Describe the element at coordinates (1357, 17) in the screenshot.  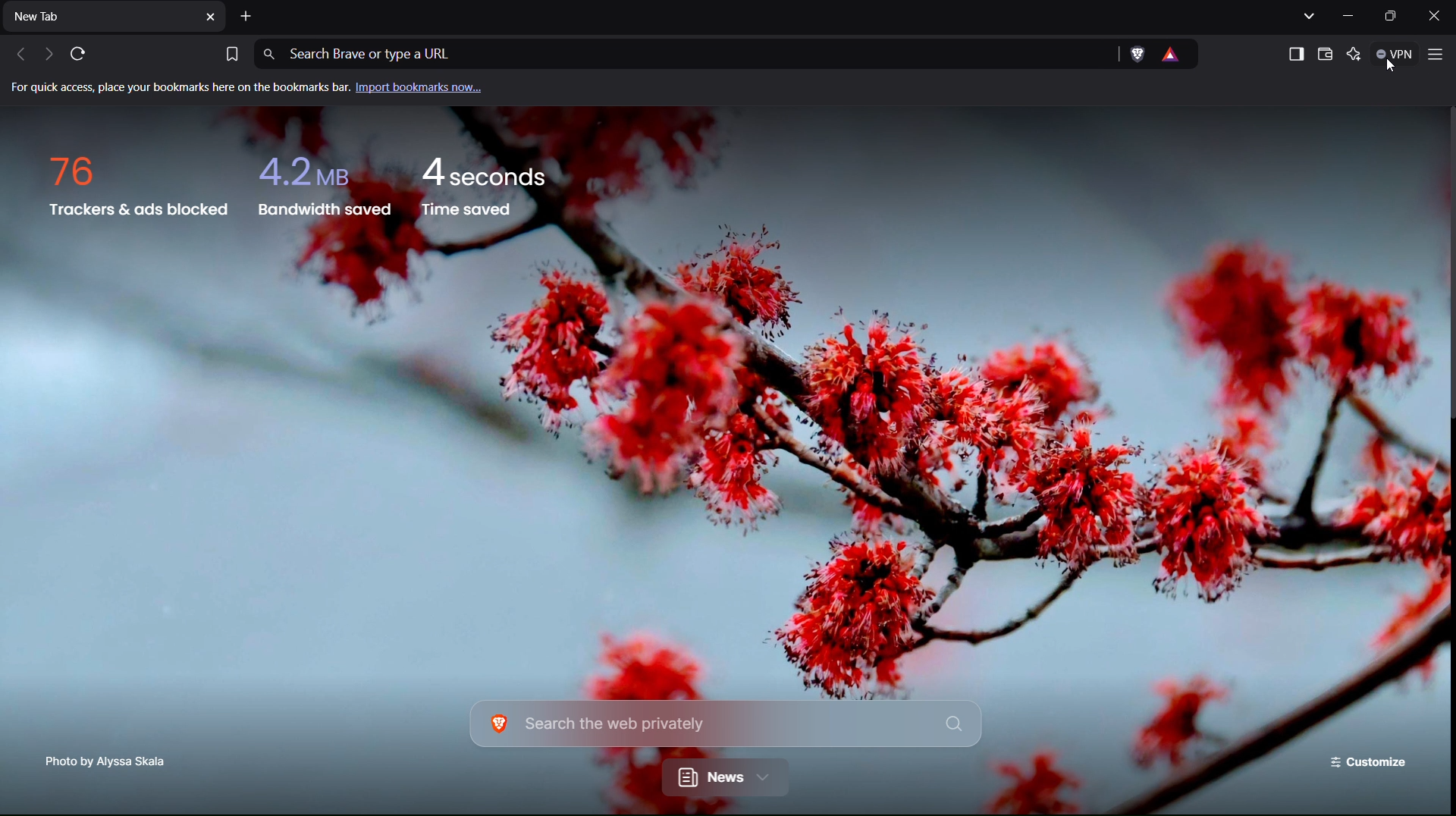
I see `Minimize` at that location.